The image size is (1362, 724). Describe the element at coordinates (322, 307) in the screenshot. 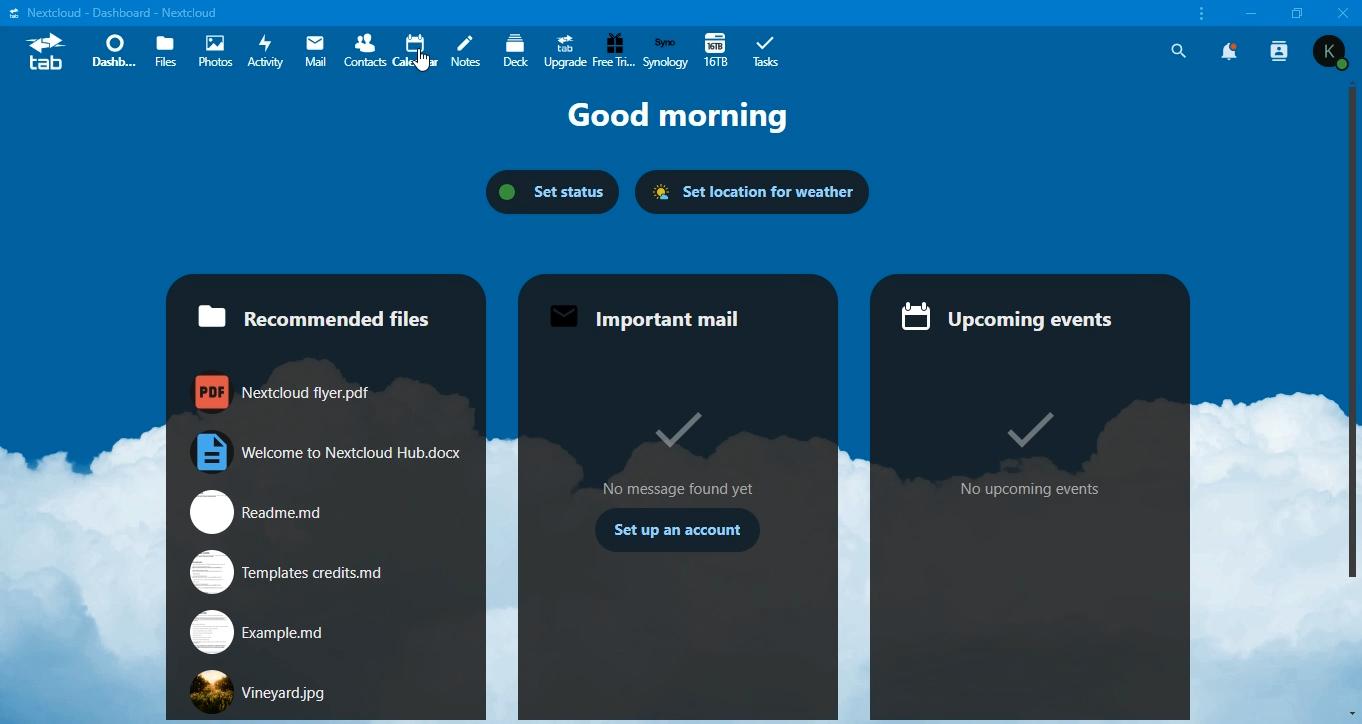

I see `recommended files` at that location.